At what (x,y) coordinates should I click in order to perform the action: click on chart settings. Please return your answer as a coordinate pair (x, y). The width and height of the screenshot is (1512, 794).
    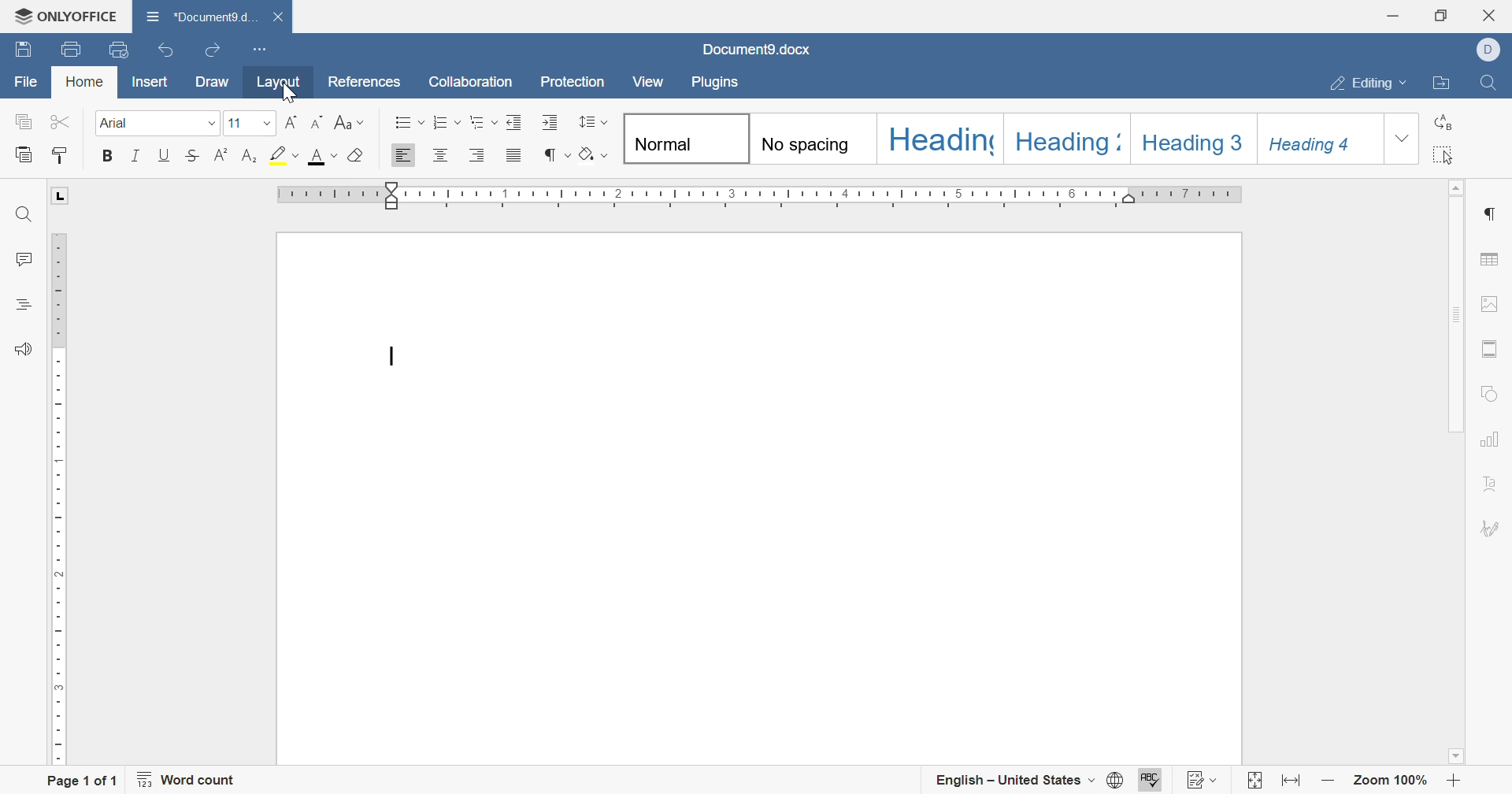
    Looking at the image, I should click on (1489, 439).